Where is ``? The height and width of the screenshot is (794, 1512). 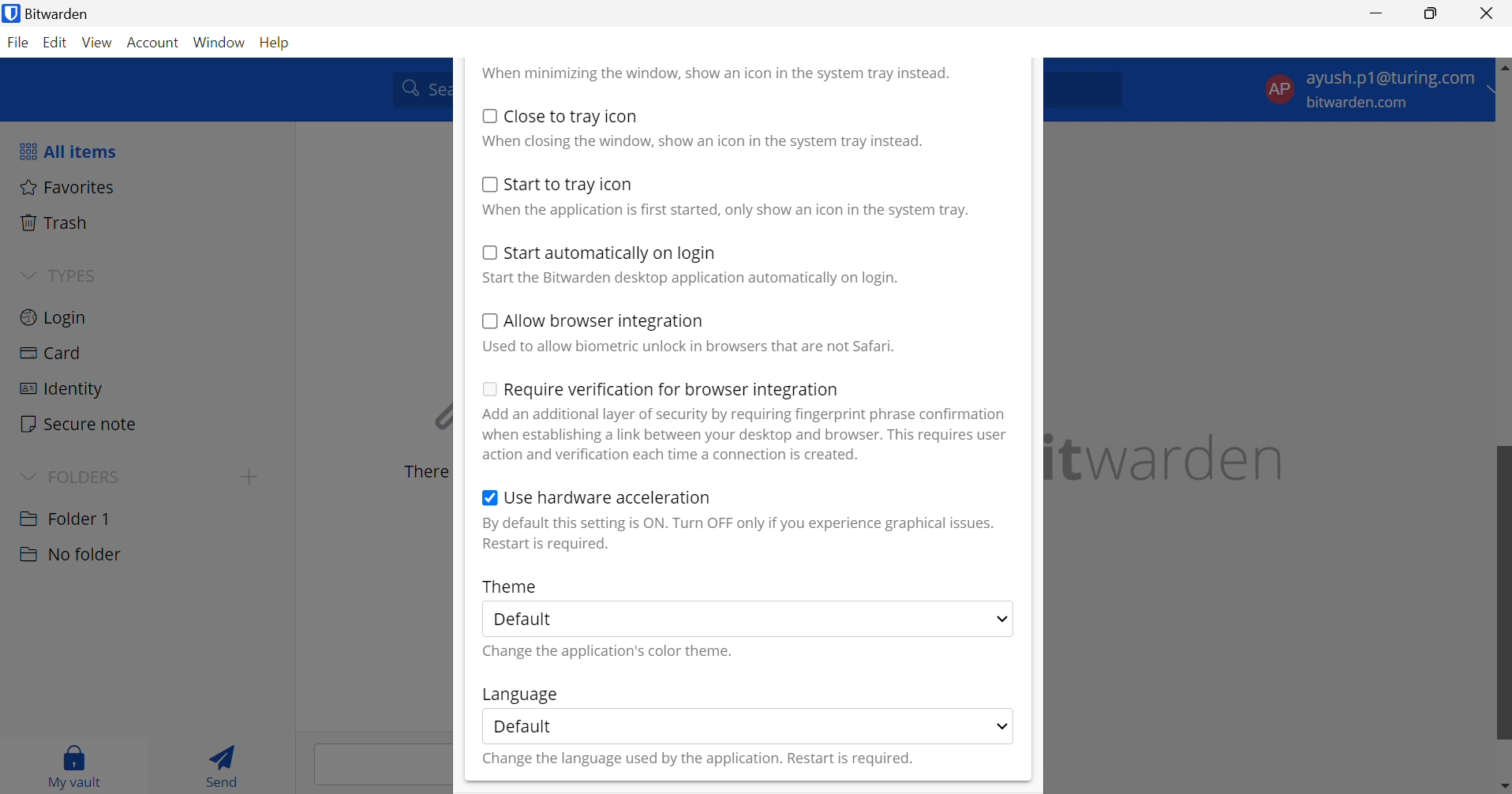
 is located at coordinates (715, 72).